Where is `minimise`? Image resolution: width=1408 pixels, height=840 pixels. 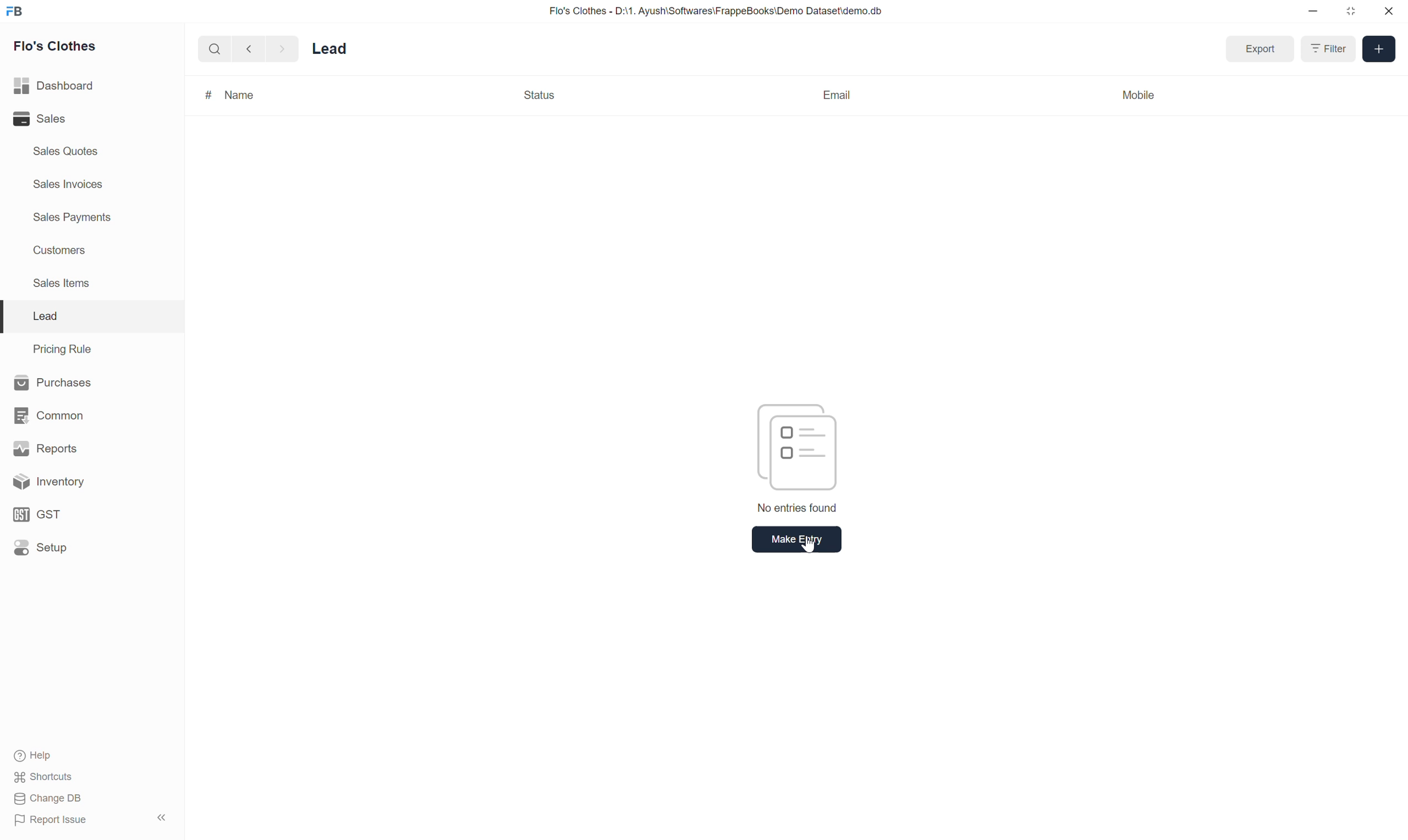
minimise is located at coordinates (1313, 13).